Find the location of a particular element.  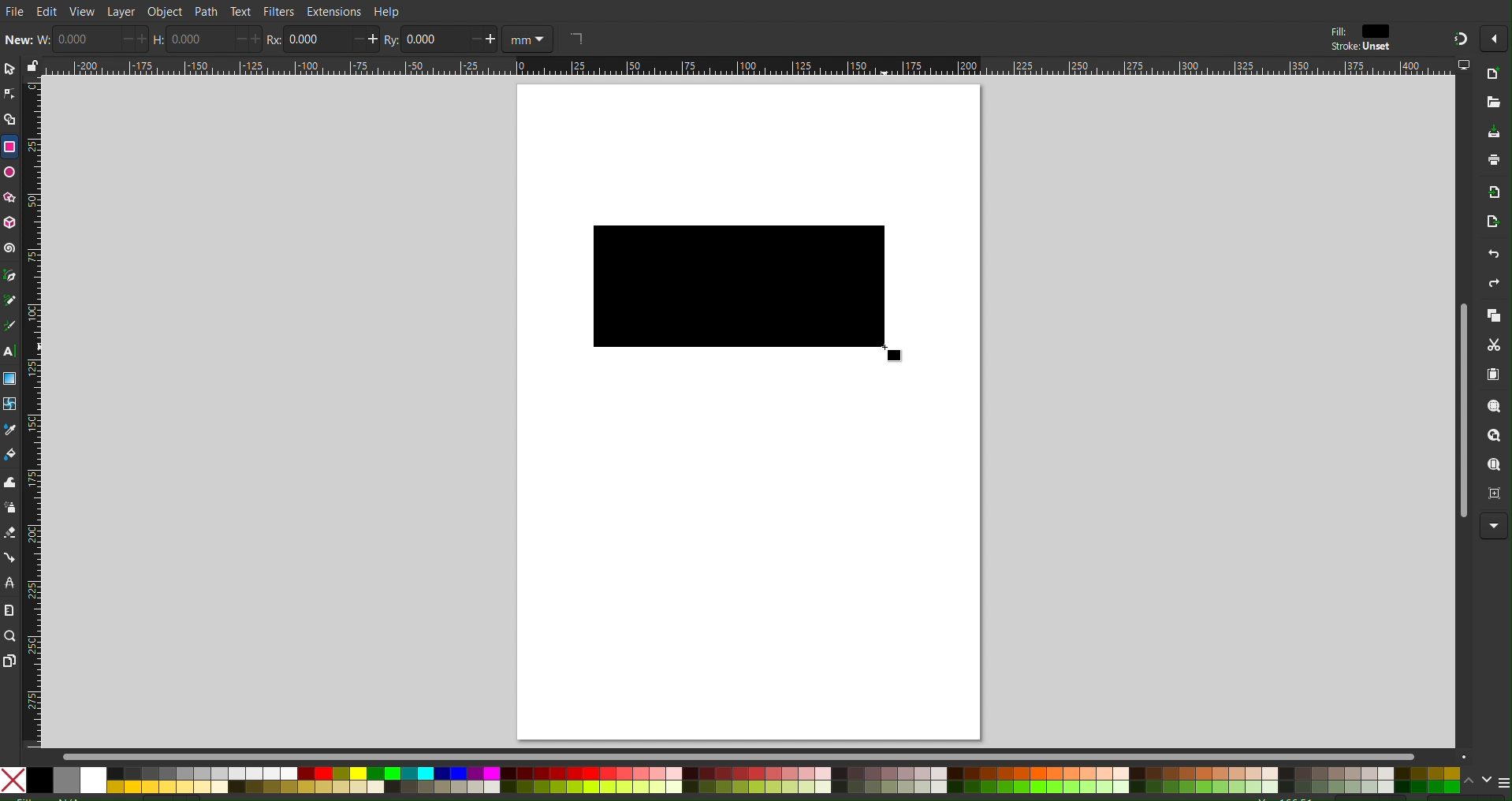

Zoom Tool is located at coordinates (9, 635).